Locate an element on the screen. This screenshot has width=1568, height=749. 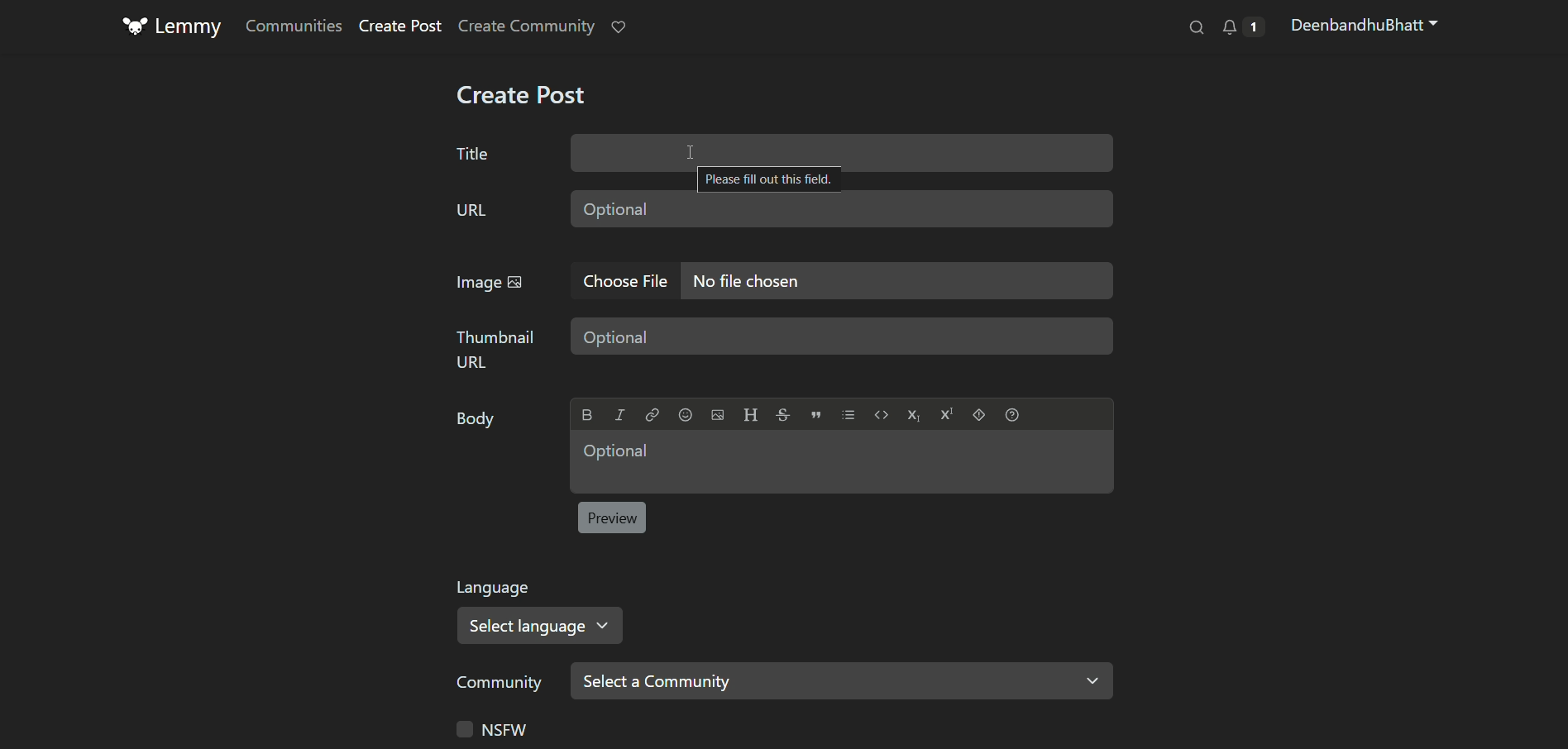
Upload image is located at coordinates (717, 415).